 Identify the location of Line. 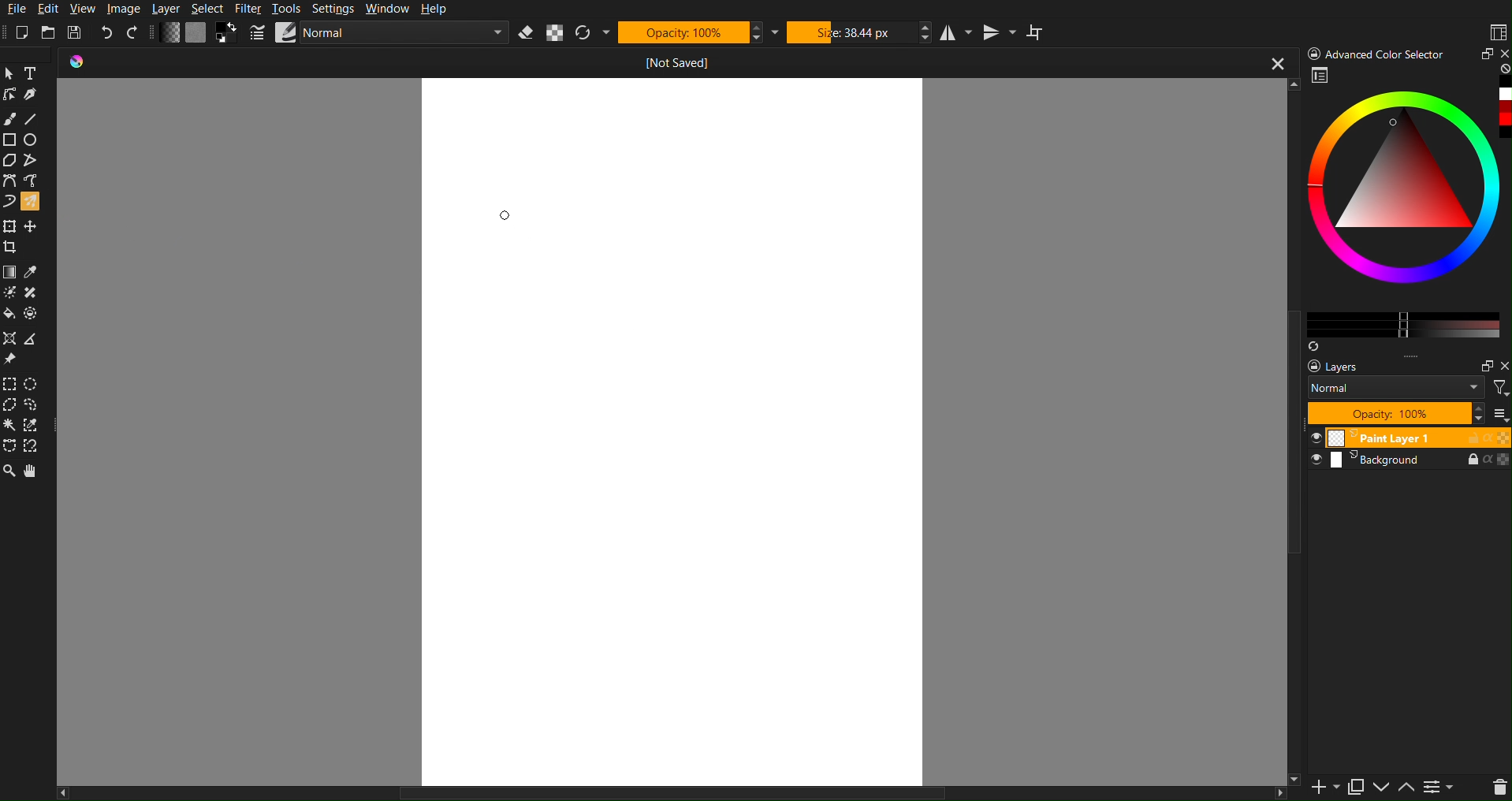
(35, 119).